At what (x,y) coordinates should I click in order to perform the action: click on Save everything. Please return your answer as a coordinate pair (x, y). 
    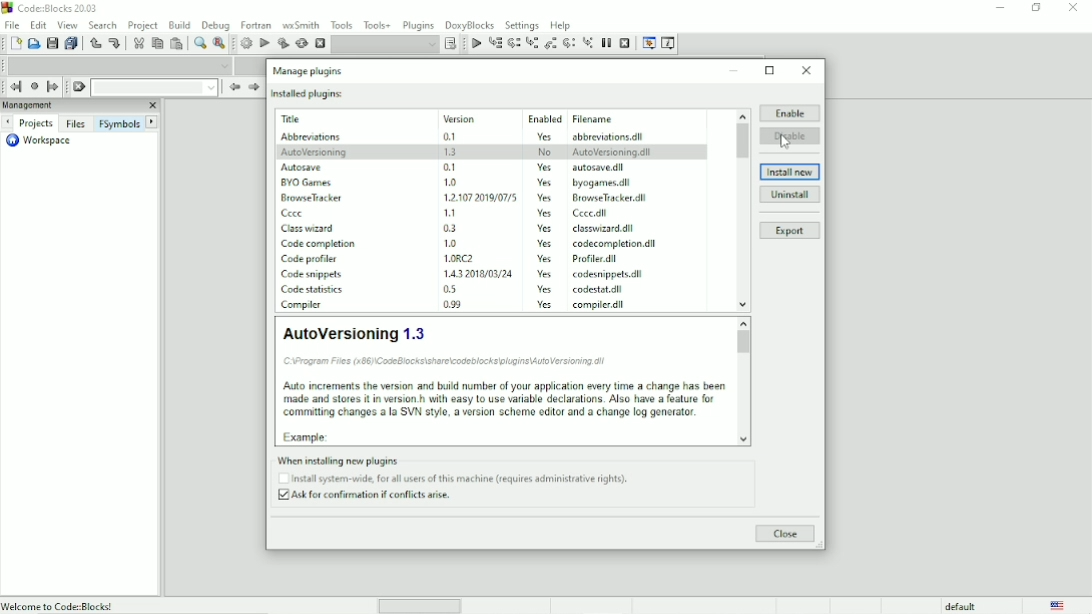
    Looking at the image, I should click on (72, 44).